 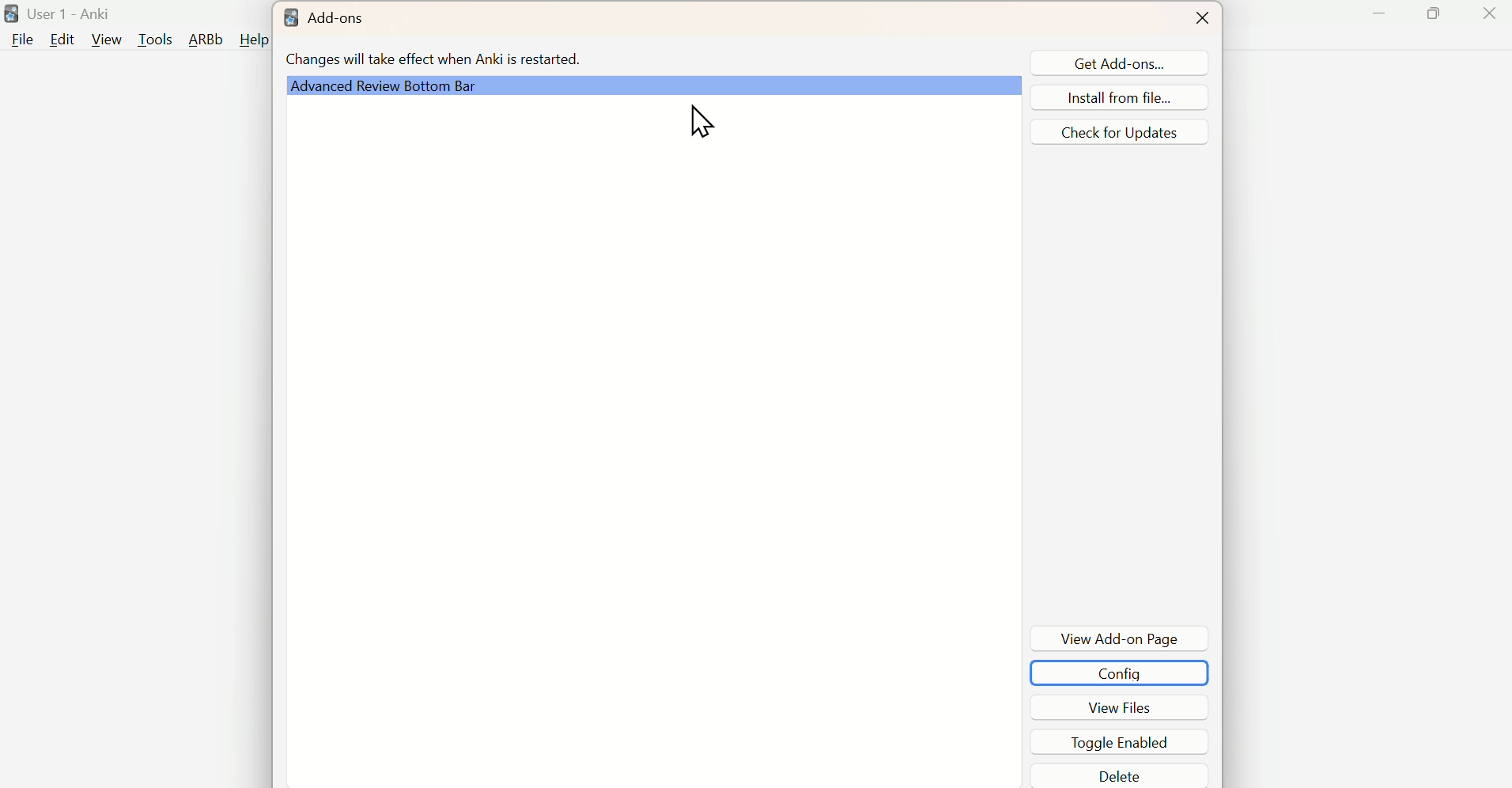 What do you see at coordinates (1118, 674) in the screenshot?
I see `COnfig` at bounding box center [1118, 674].